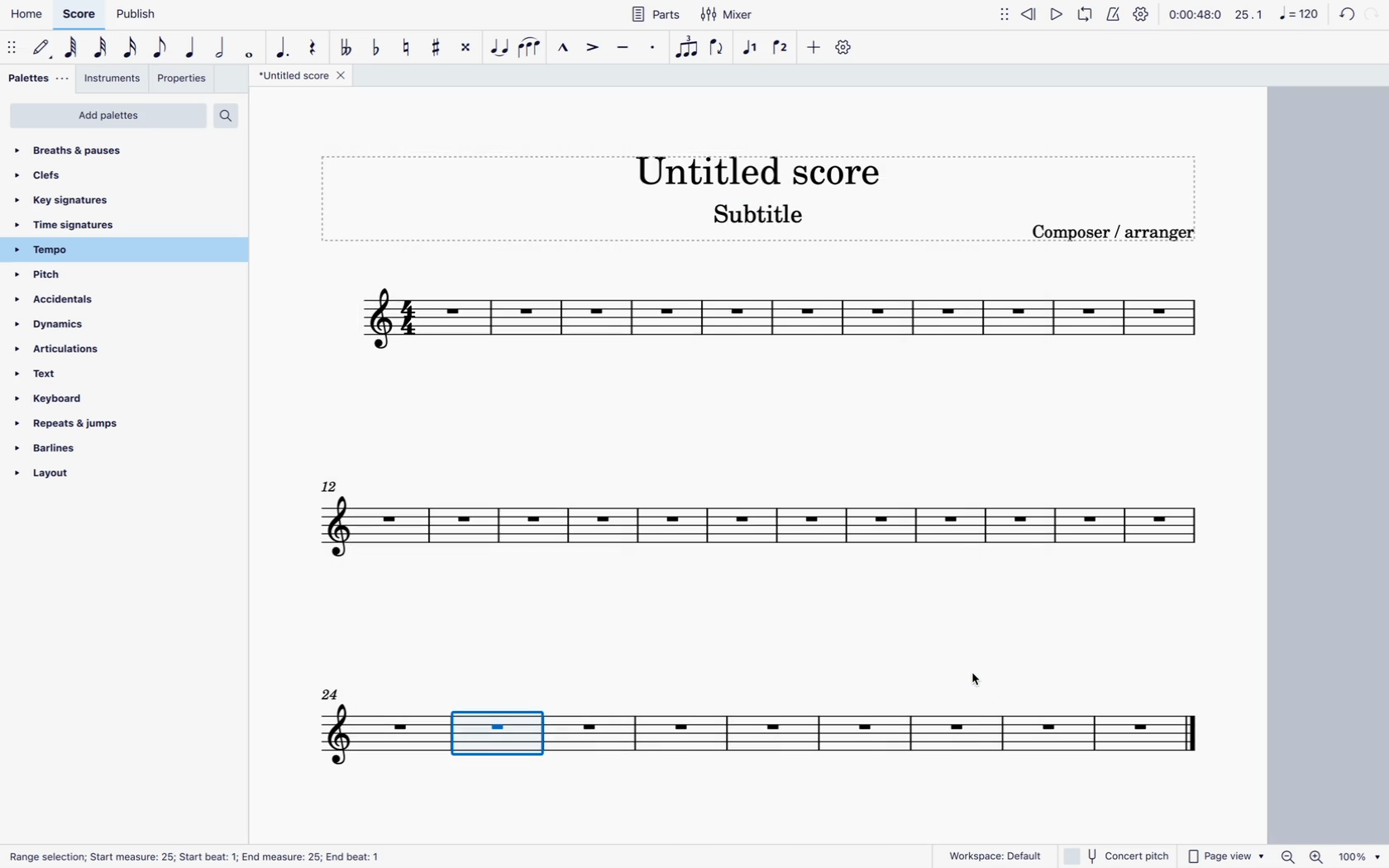  I want to click on articulations, so click(69, 347).